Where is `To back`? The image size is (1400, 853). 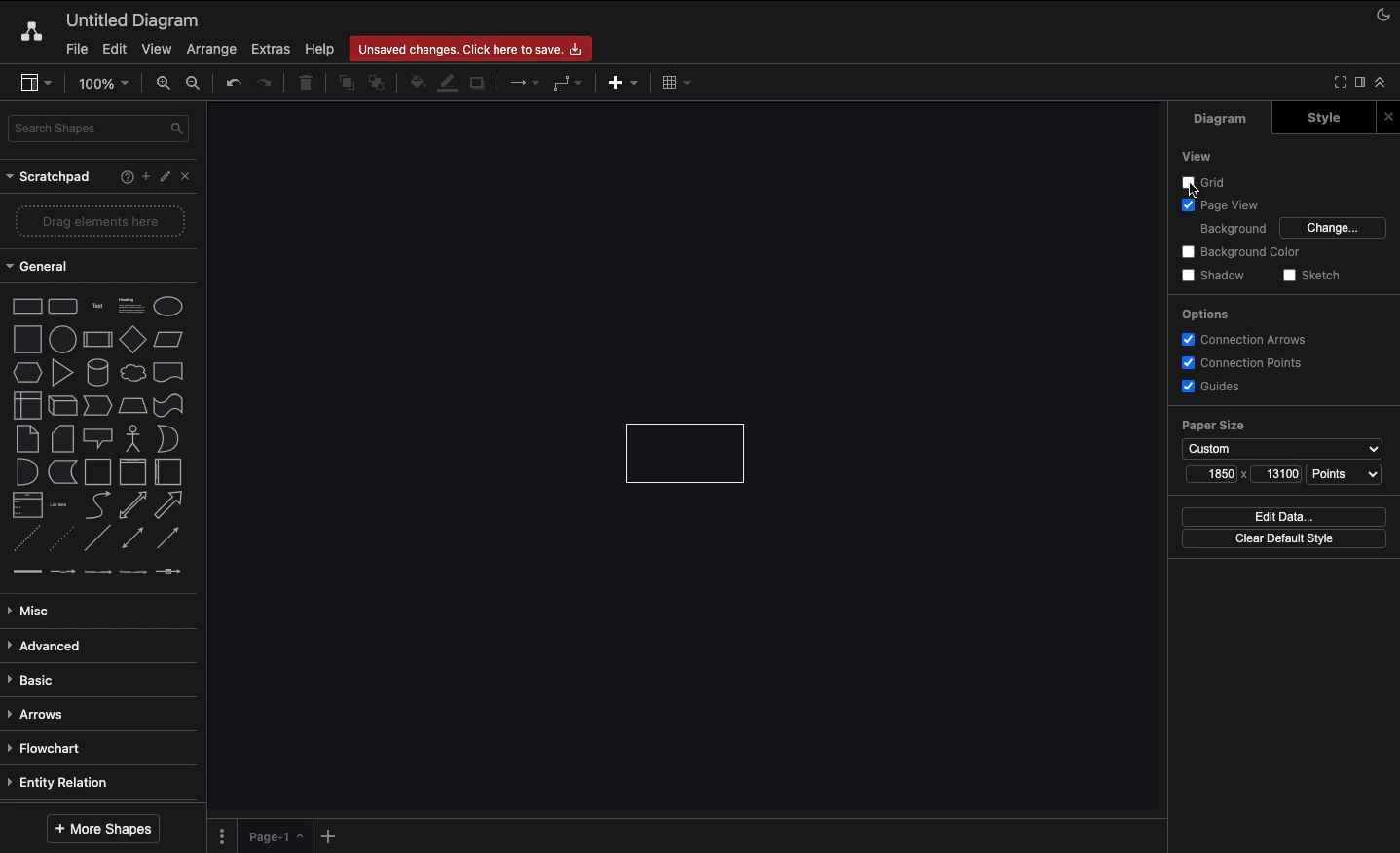
To back is located at coordinates (377, 86).